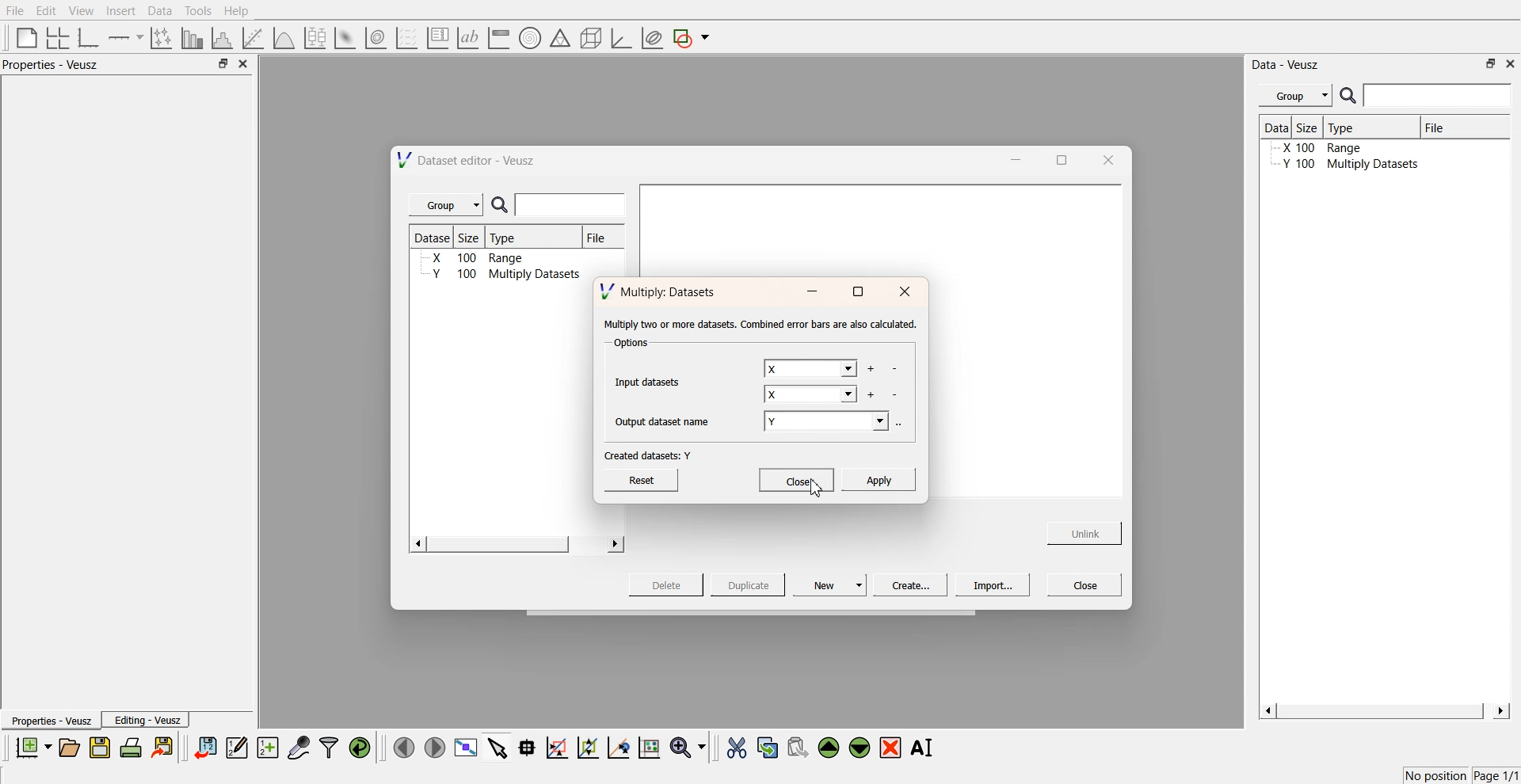 This screenshot has width=1521, height=784. Describe the element at coordinates (434, 746) in the screenshot. I see `move right` at that location.